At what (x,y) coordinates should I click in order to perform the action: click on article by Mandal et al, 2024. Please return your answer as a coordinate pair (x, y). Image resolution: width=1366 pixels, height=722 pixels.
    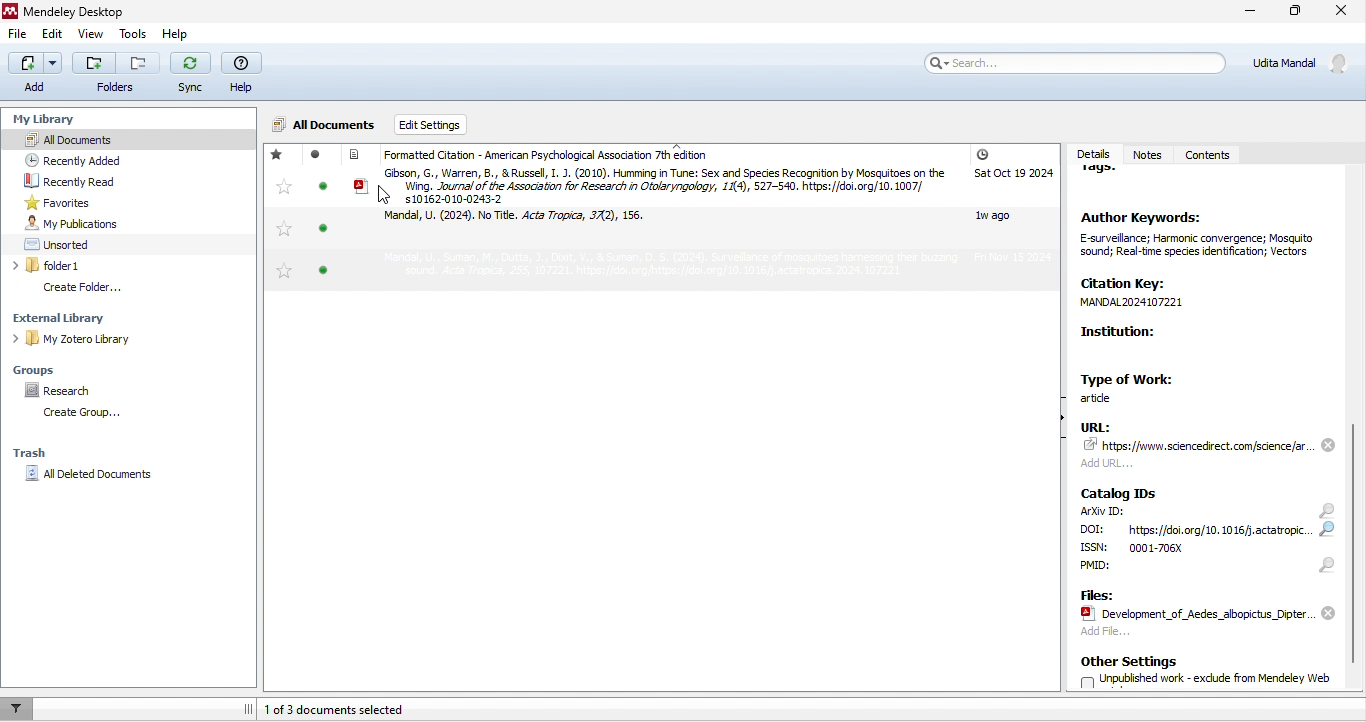
    Looking at the image, I should click on (637, 267).